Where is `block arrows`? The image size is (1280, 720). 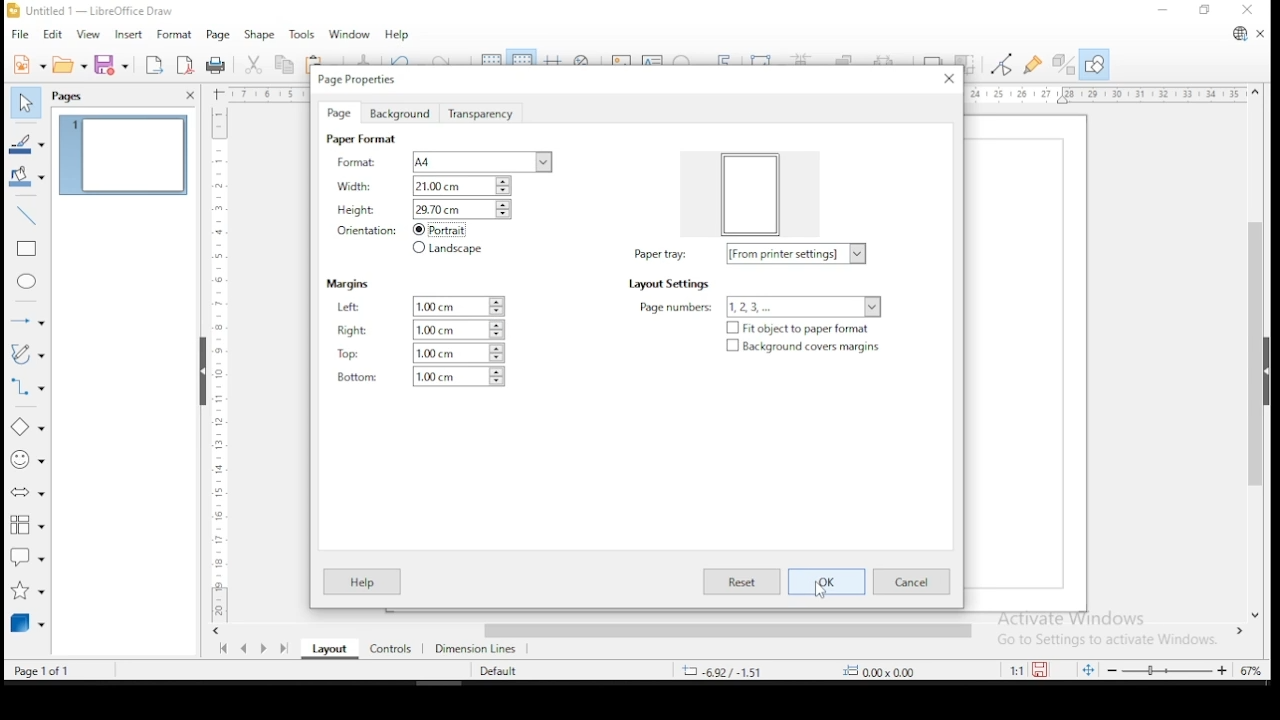
block arrows is located at coordinates (28, 496).